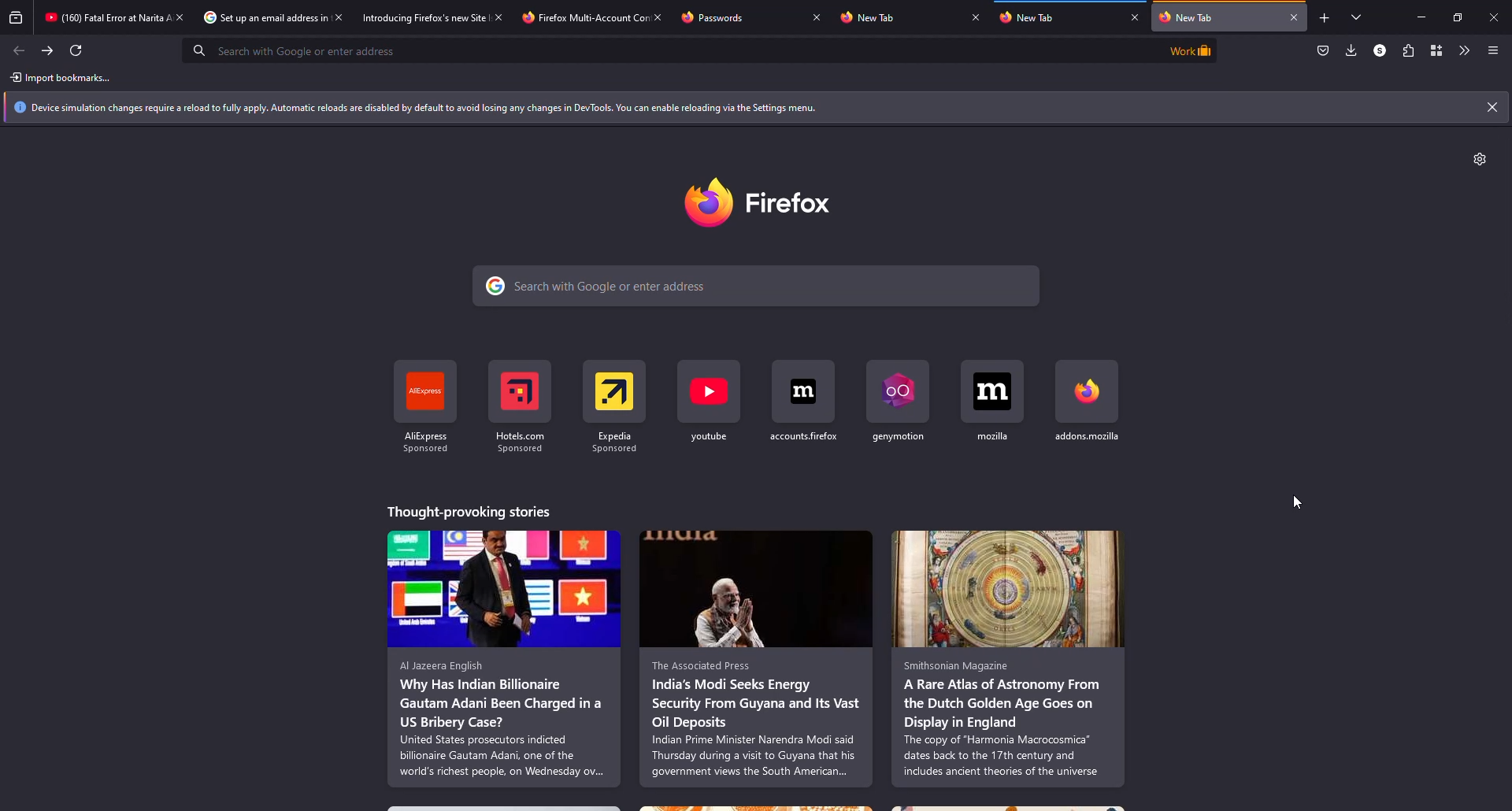 Image resolution: width=1512 pixels, height=811 pixels. I want to click on downloads, so click(1350, 50).